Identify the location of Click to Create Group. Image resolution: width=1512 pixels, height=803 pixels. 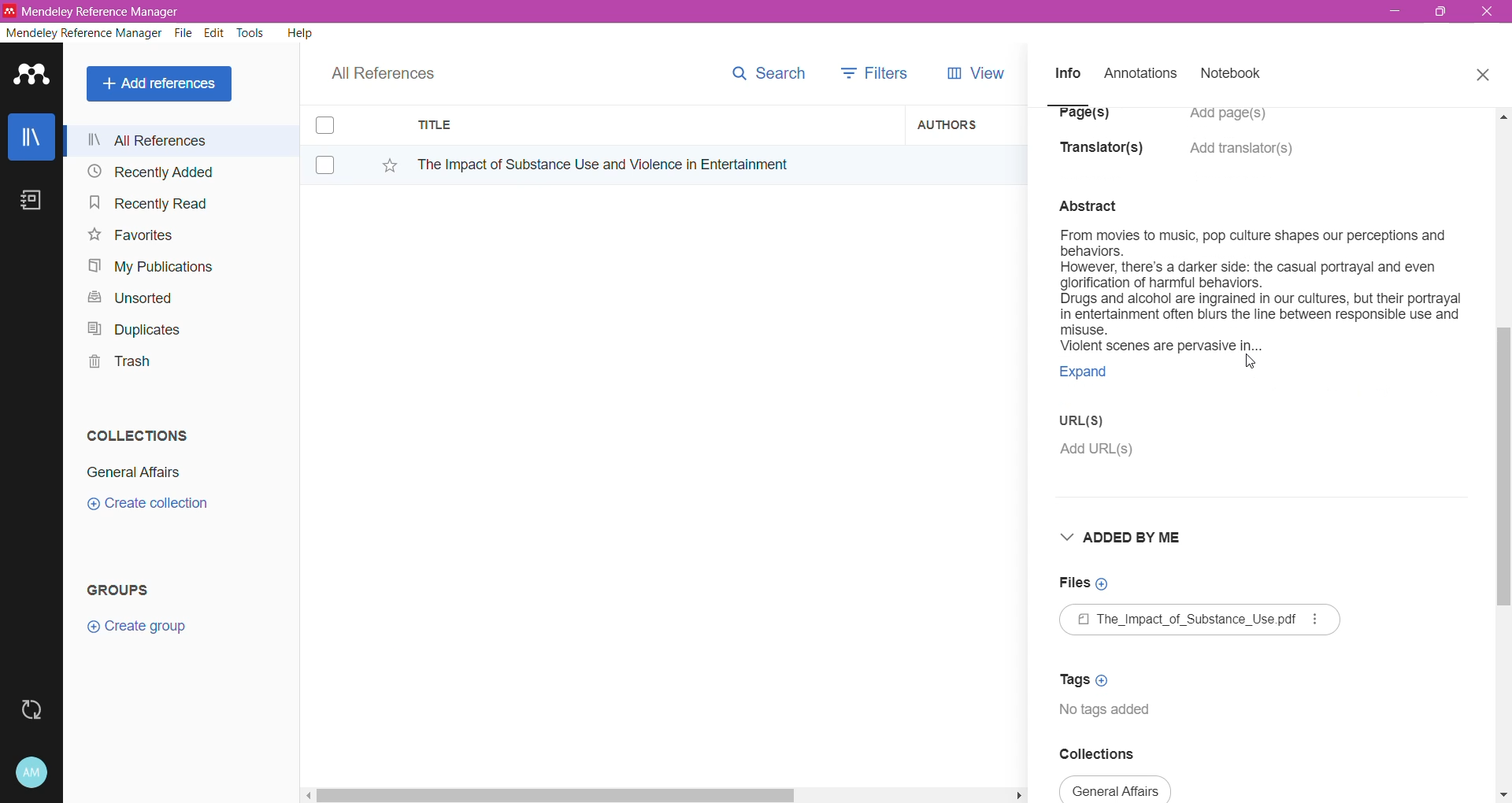
(140, 632).